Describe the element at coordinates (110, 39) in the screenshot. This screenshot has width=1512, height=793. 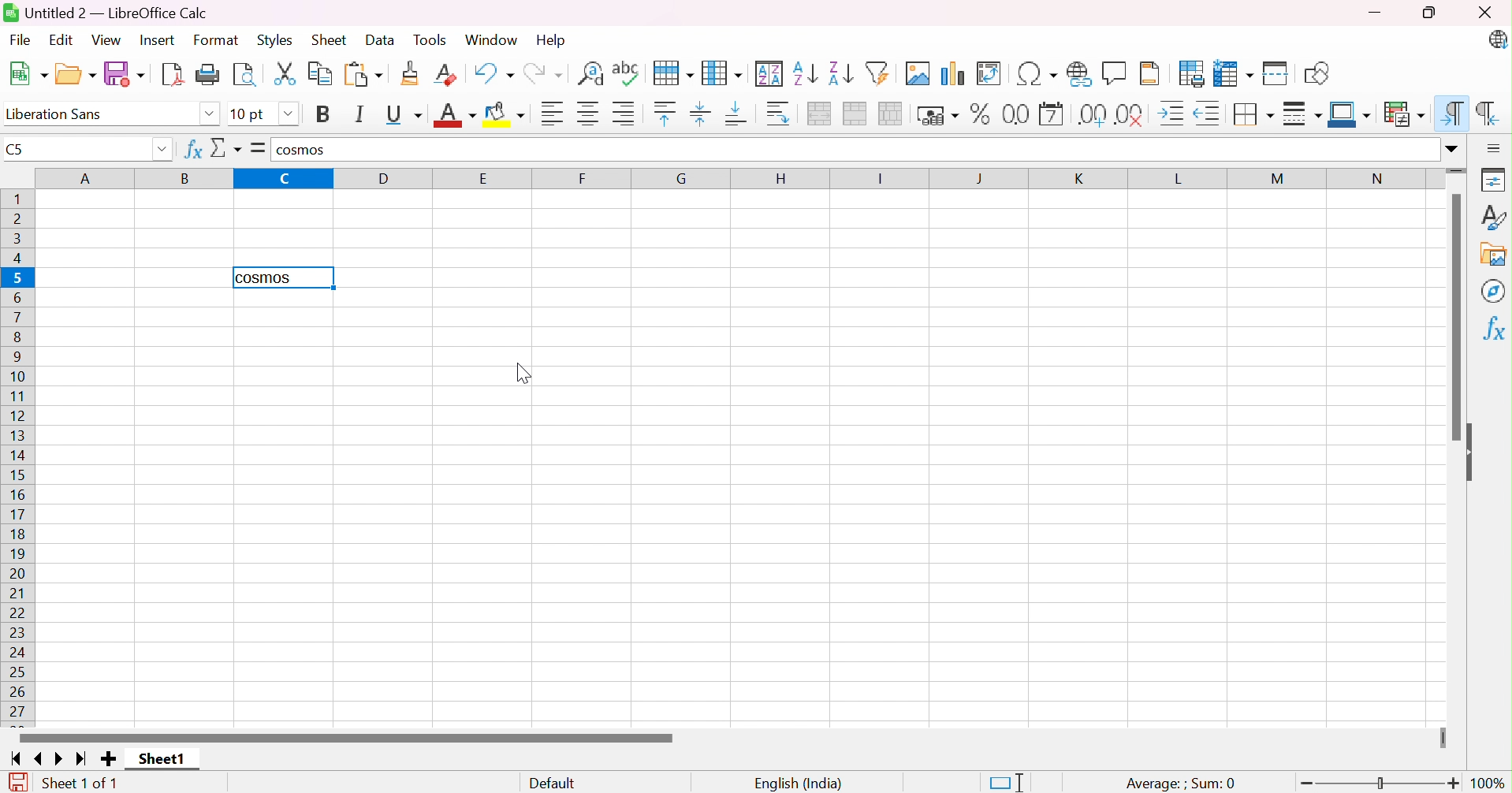
I see `` at that location.